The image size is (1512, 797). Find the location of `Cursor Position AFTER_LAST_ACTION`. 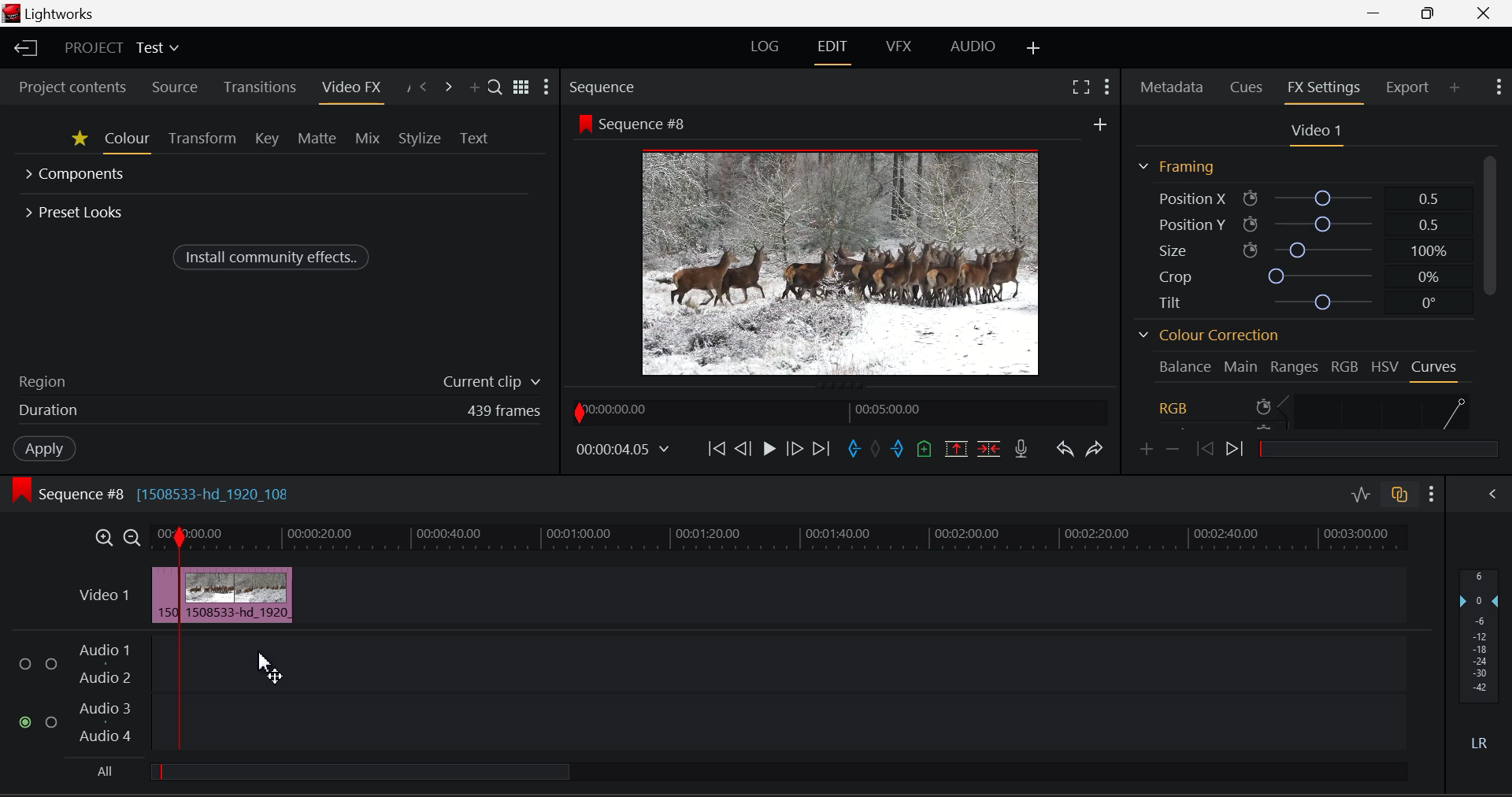

Cursor Position AFTER_LAST_ACTION is located at coordinates (269, 668).